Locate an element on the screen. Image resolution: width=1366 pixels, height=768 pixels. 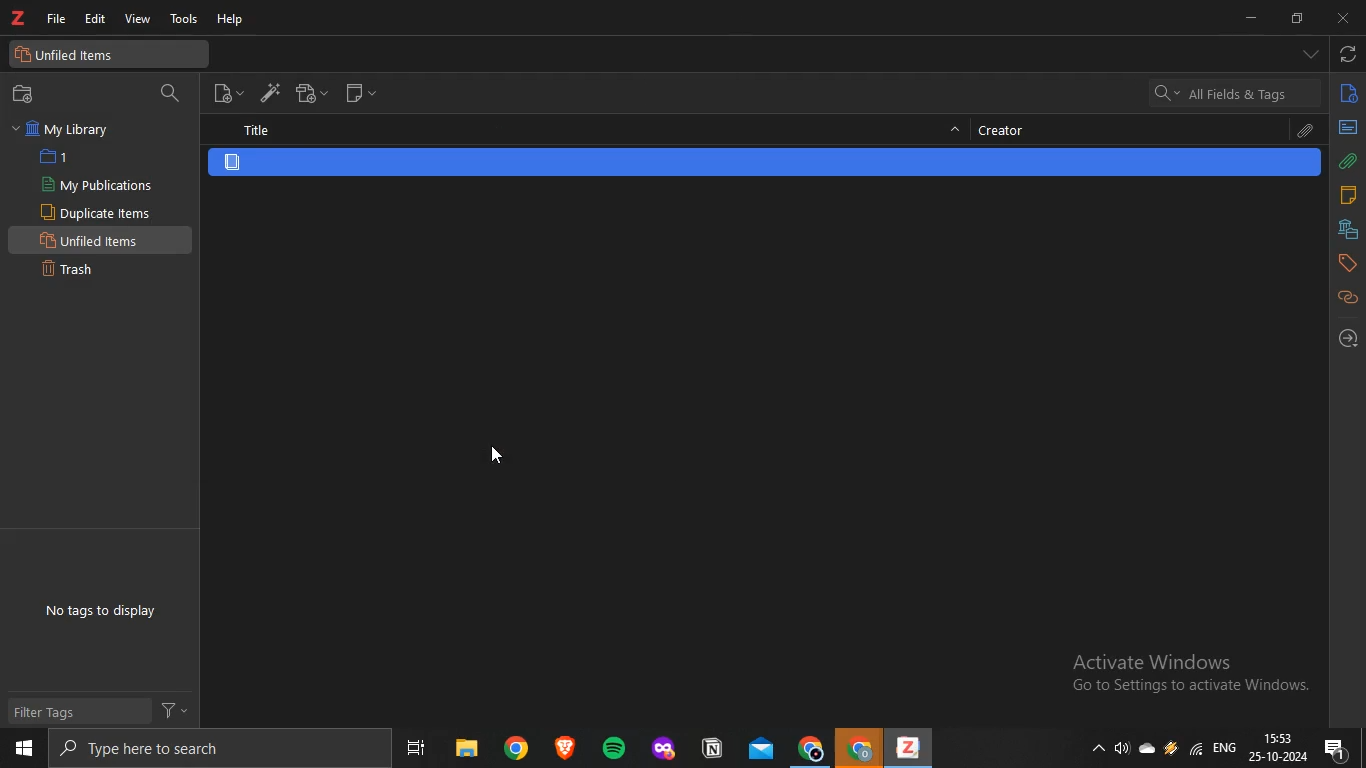
zotero is located at coordinates (905, 749).